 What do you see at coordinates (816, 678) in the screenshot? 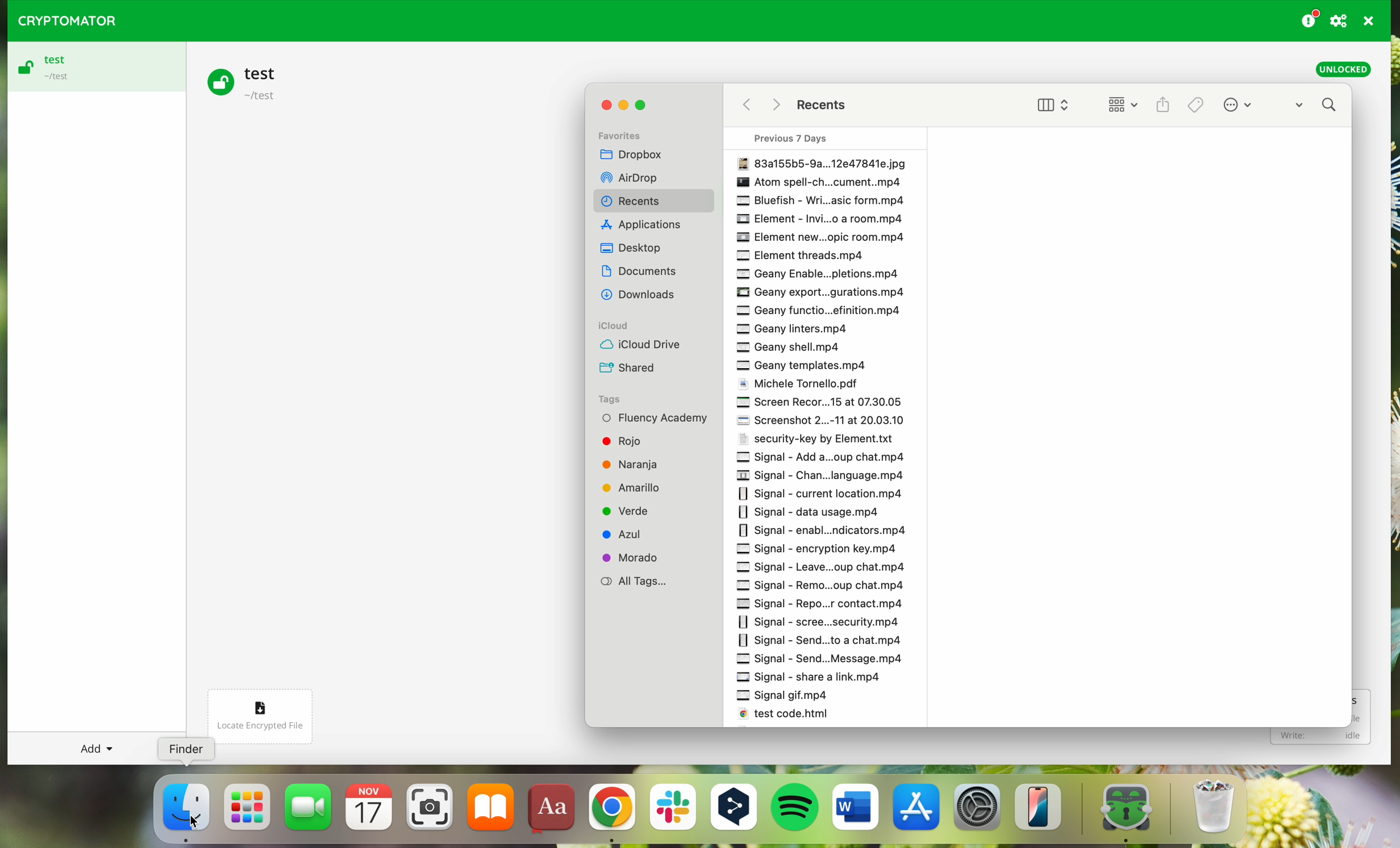
I see `Signal share a list` at bounding box center [816, 678].